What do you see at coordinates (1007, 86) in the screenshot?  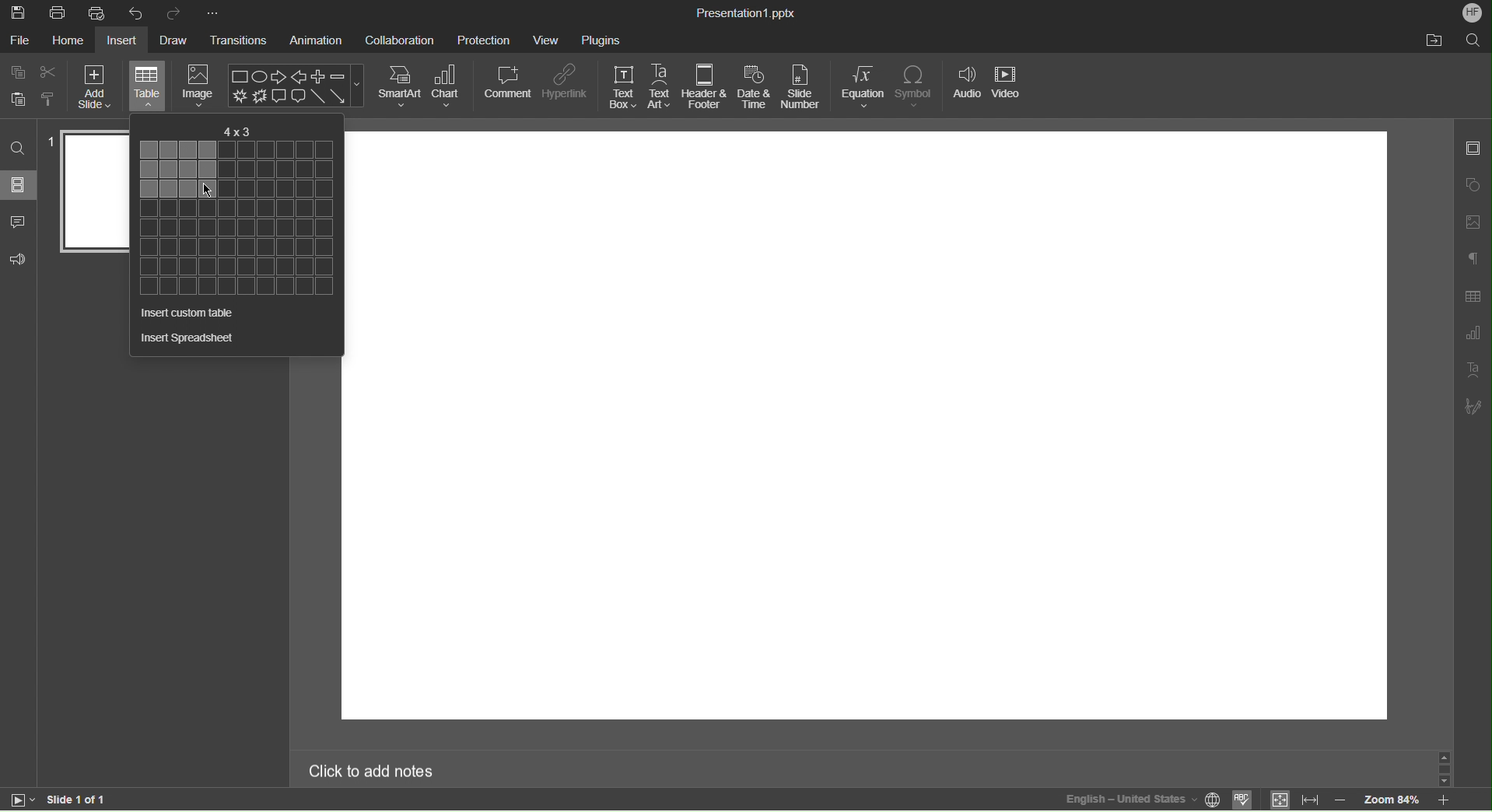 I see `Video` at bounding box center [1007, 86].